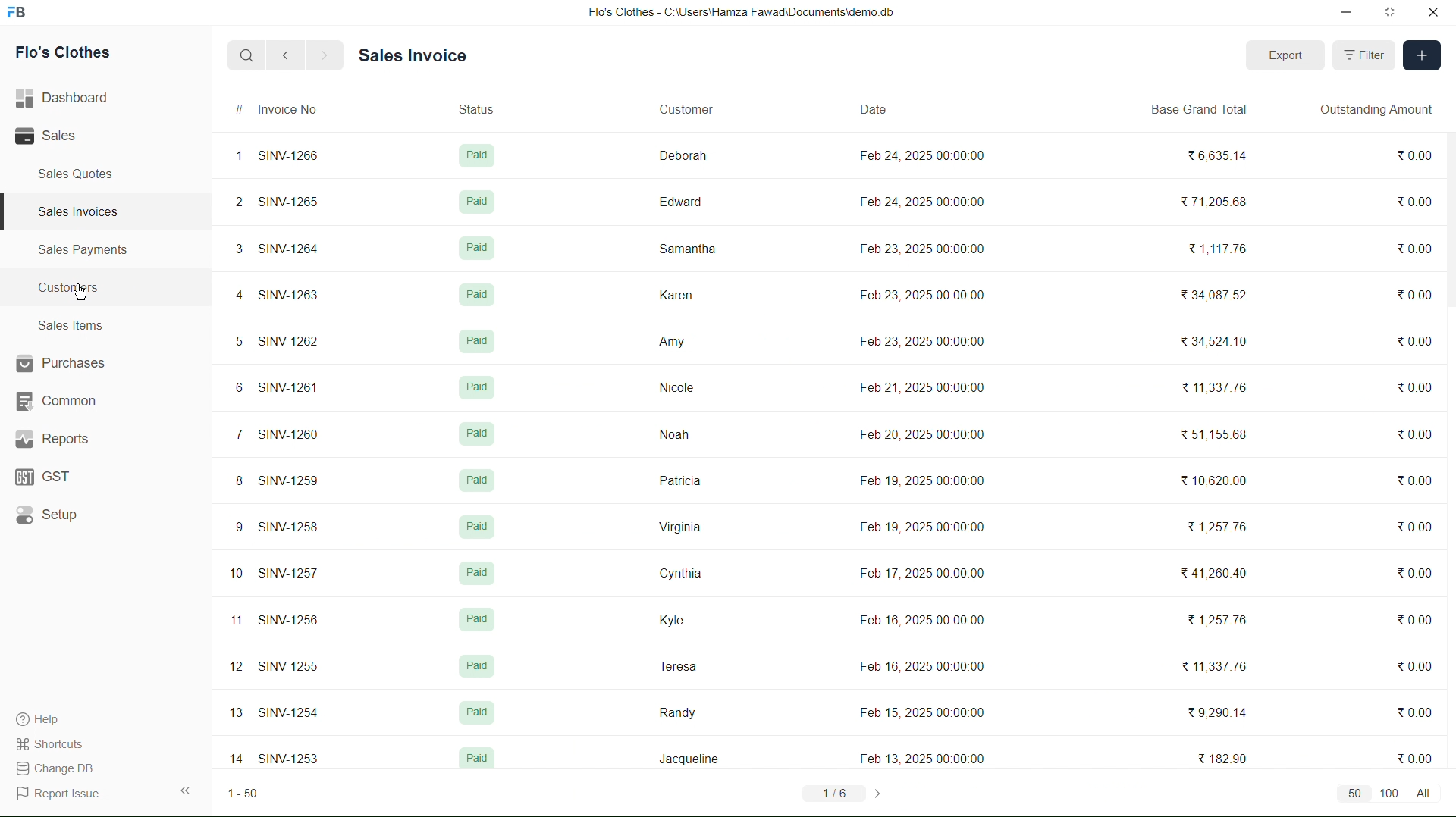 This screenshot has width=1456, height=817. What do you see at coordinates (234, 247) in the screenshot?
I see `3` at bounding box center [234, 247].